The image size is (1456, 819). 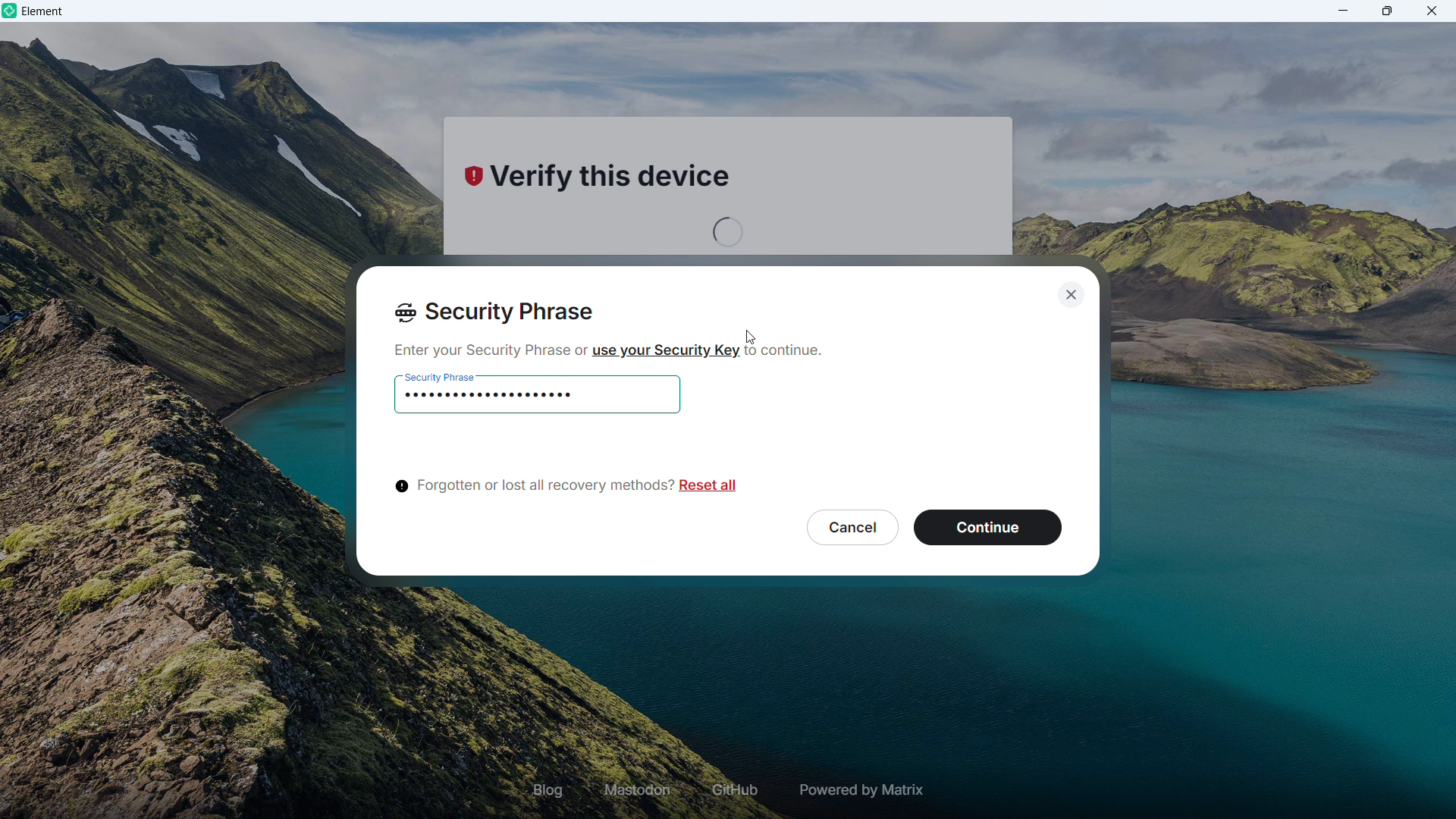 What do you see at coordinates (1431, 11) in the screenshot?
I see `close ` at bounding box center [1431, 11].